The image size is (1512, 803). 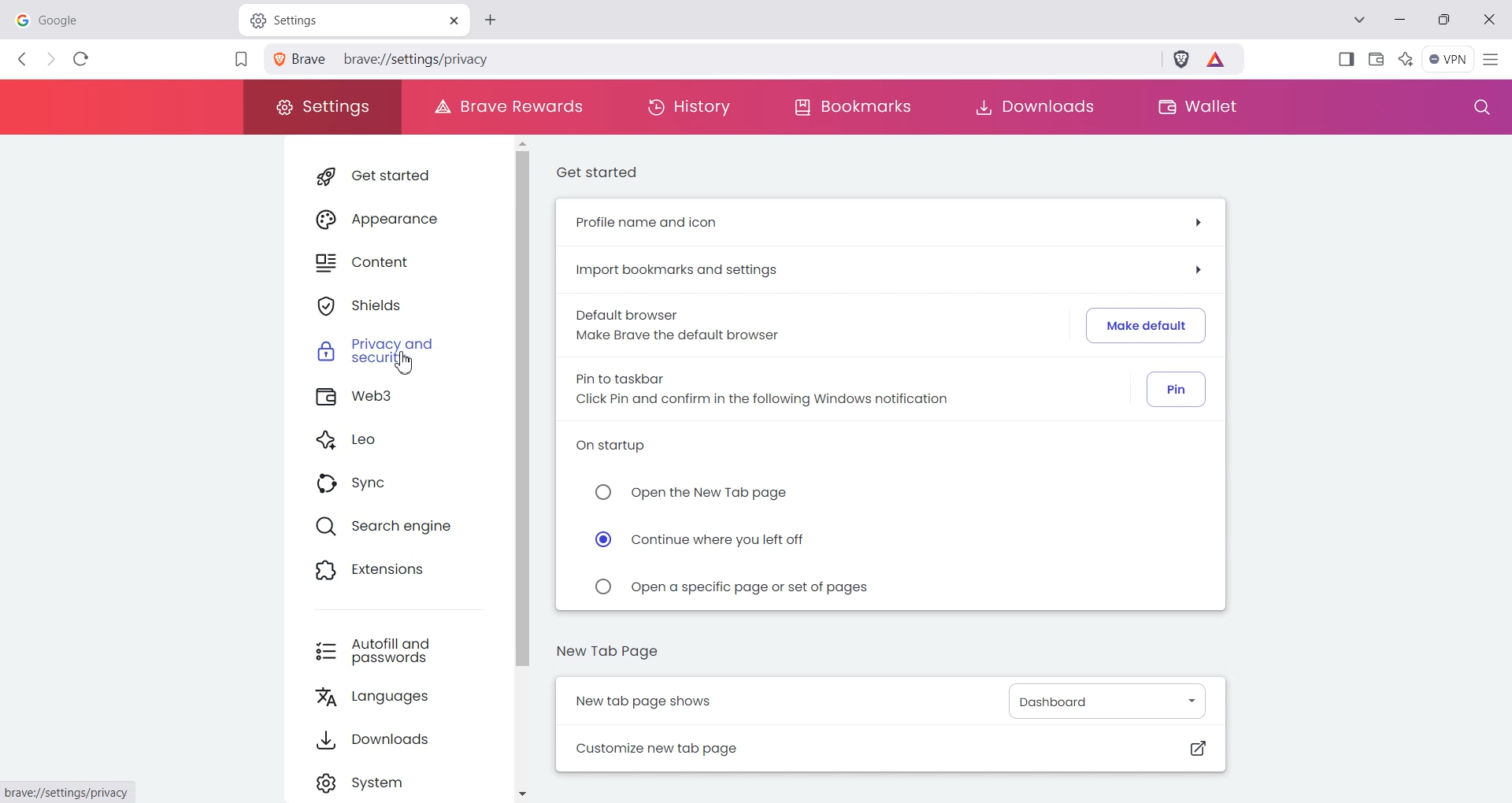 I want to click on google, so click(x=118, y=18).